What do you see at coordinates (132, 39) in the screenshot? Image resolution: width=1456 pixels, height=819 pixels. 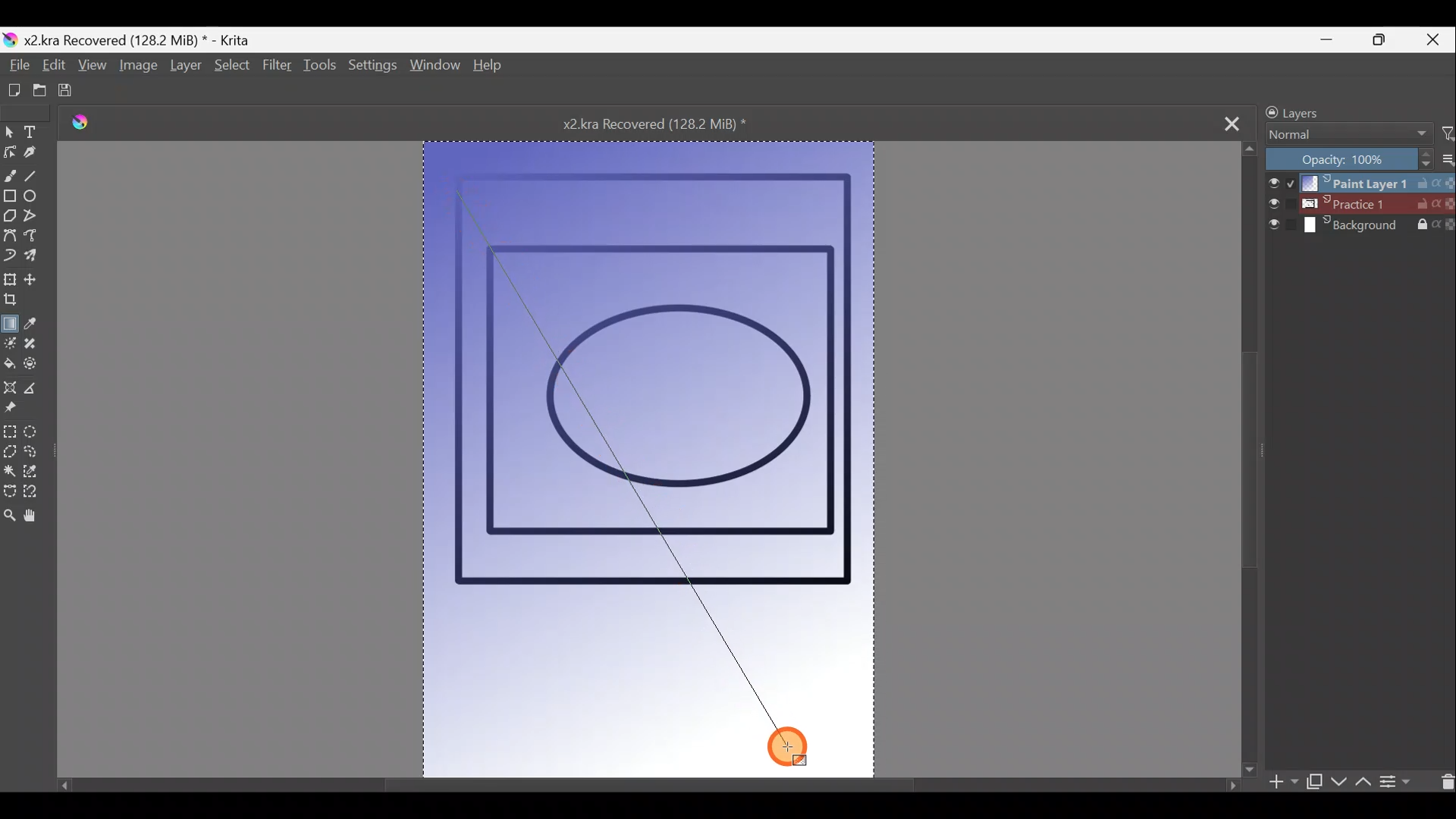 I see `Document name` at bounding box center [132, 39].